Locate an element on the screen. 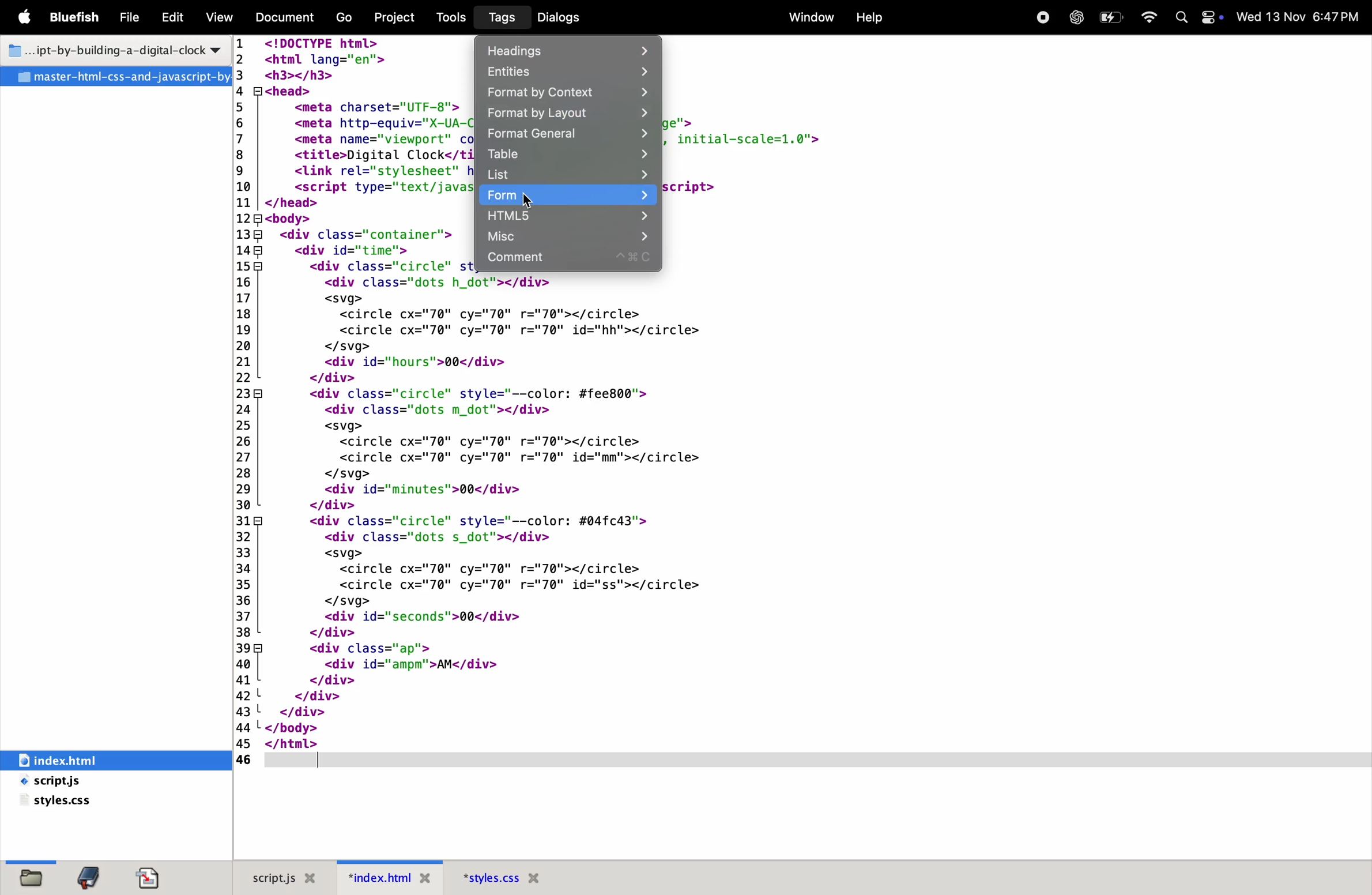 This screenshot has height=895, width=1372. Misc is located at coordinates (570, 236).